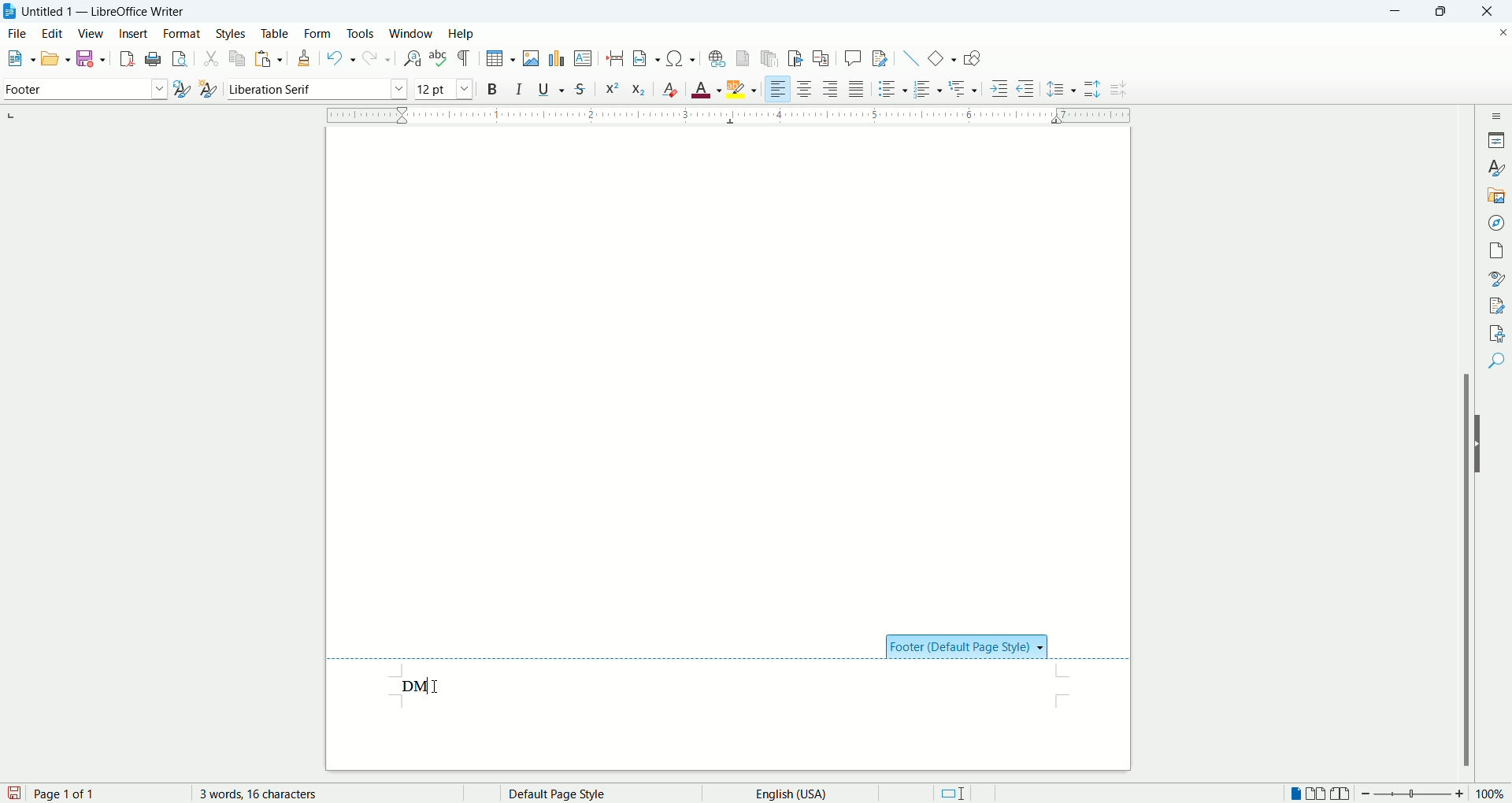 This screenshot has width=1512, height=803. I want to click on standard selection, so click(952, 794).